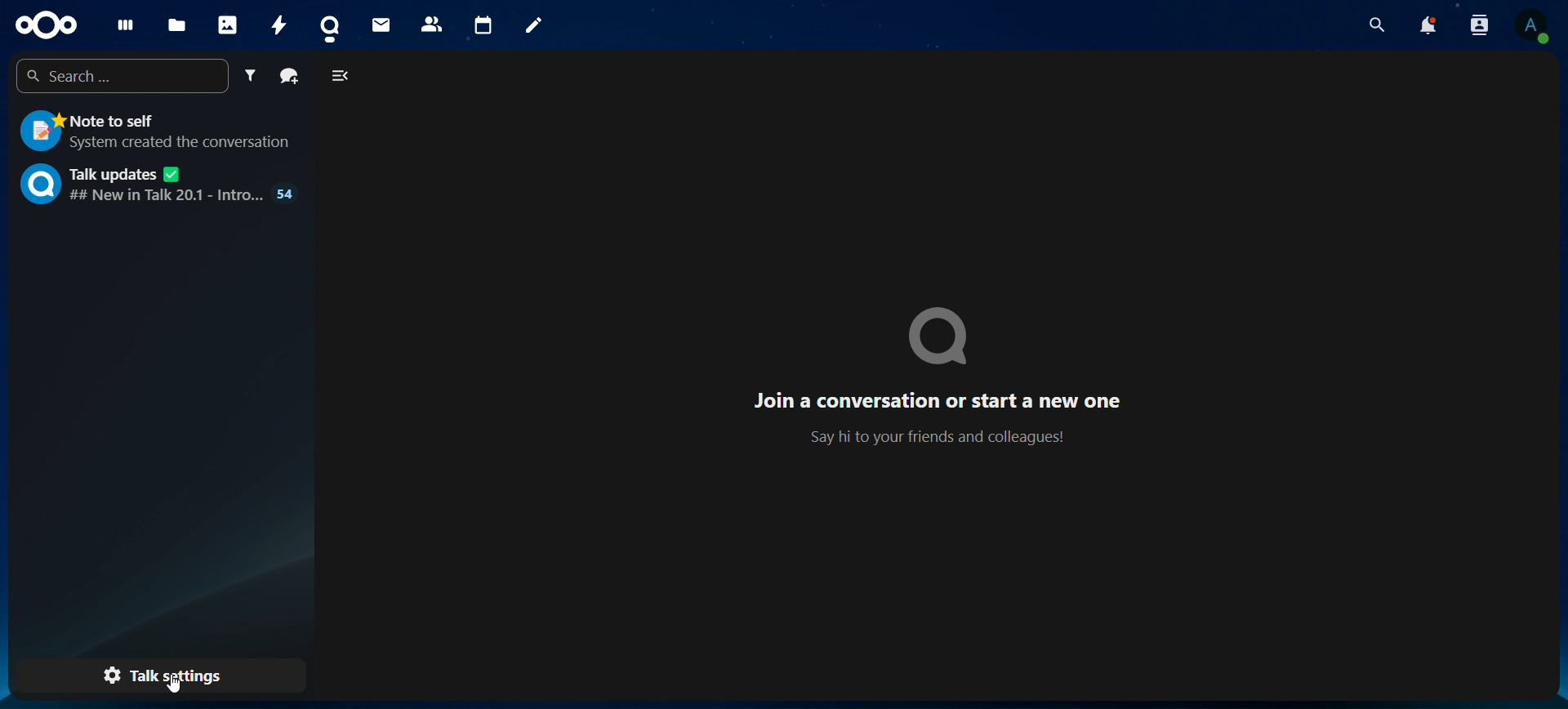  Describe the element at coordinates (280, 24) in the screenshot. I see `activity` at that location.